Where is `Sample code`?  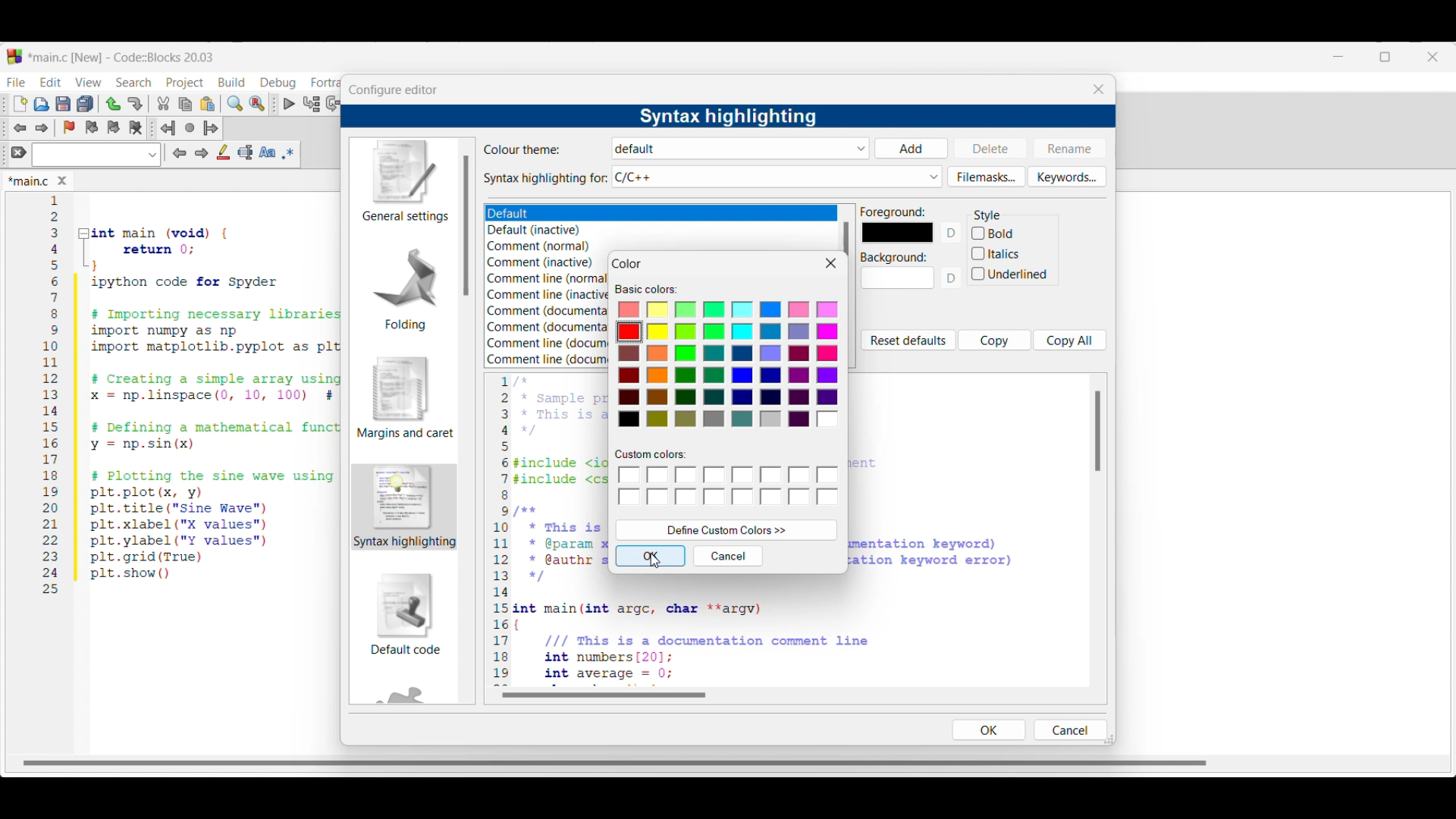
Sample code is located at coordinates (549, 530).